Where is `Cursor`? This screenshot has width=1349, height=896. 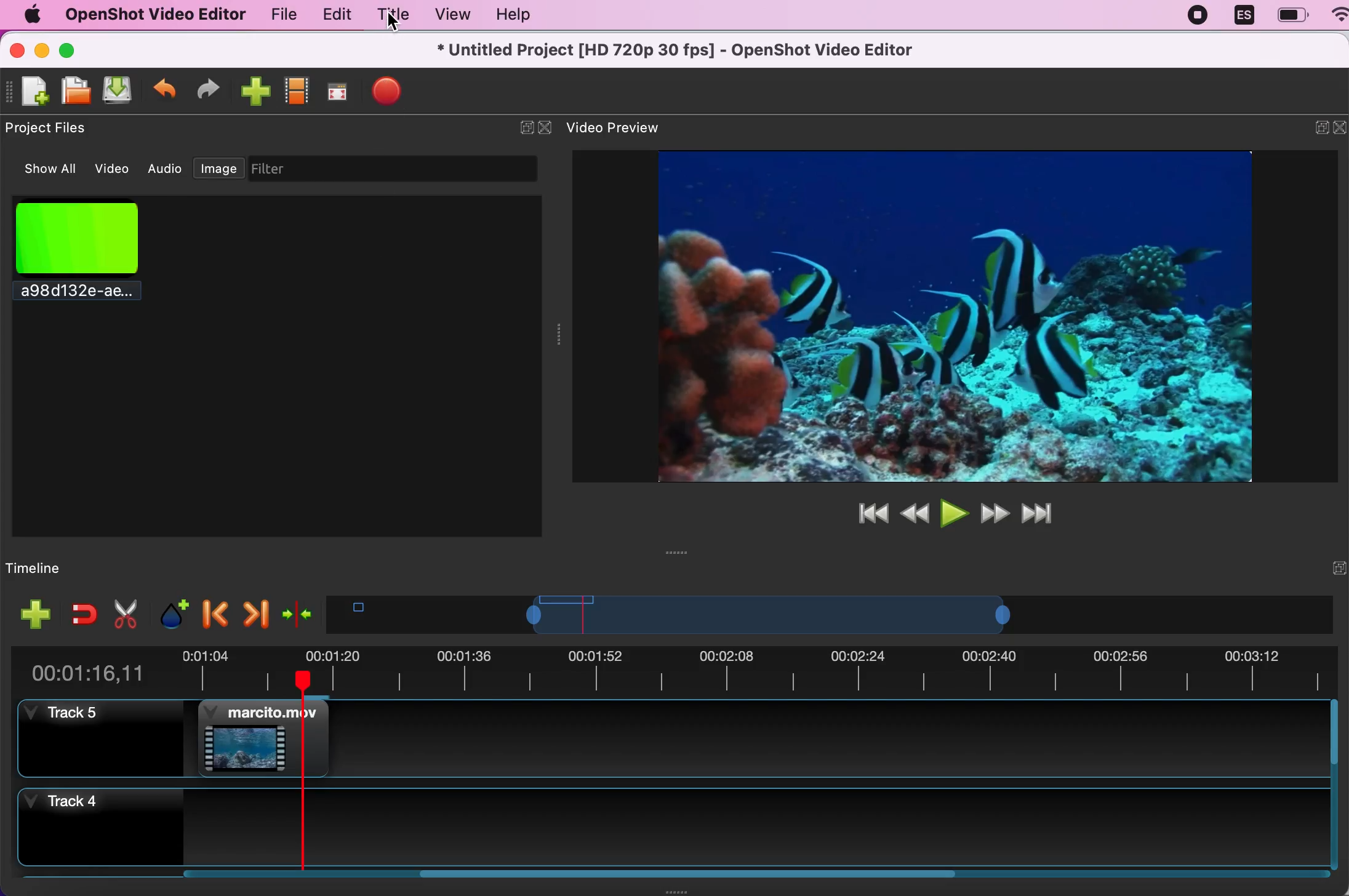 Cursor is located at coordinates (395, 23).